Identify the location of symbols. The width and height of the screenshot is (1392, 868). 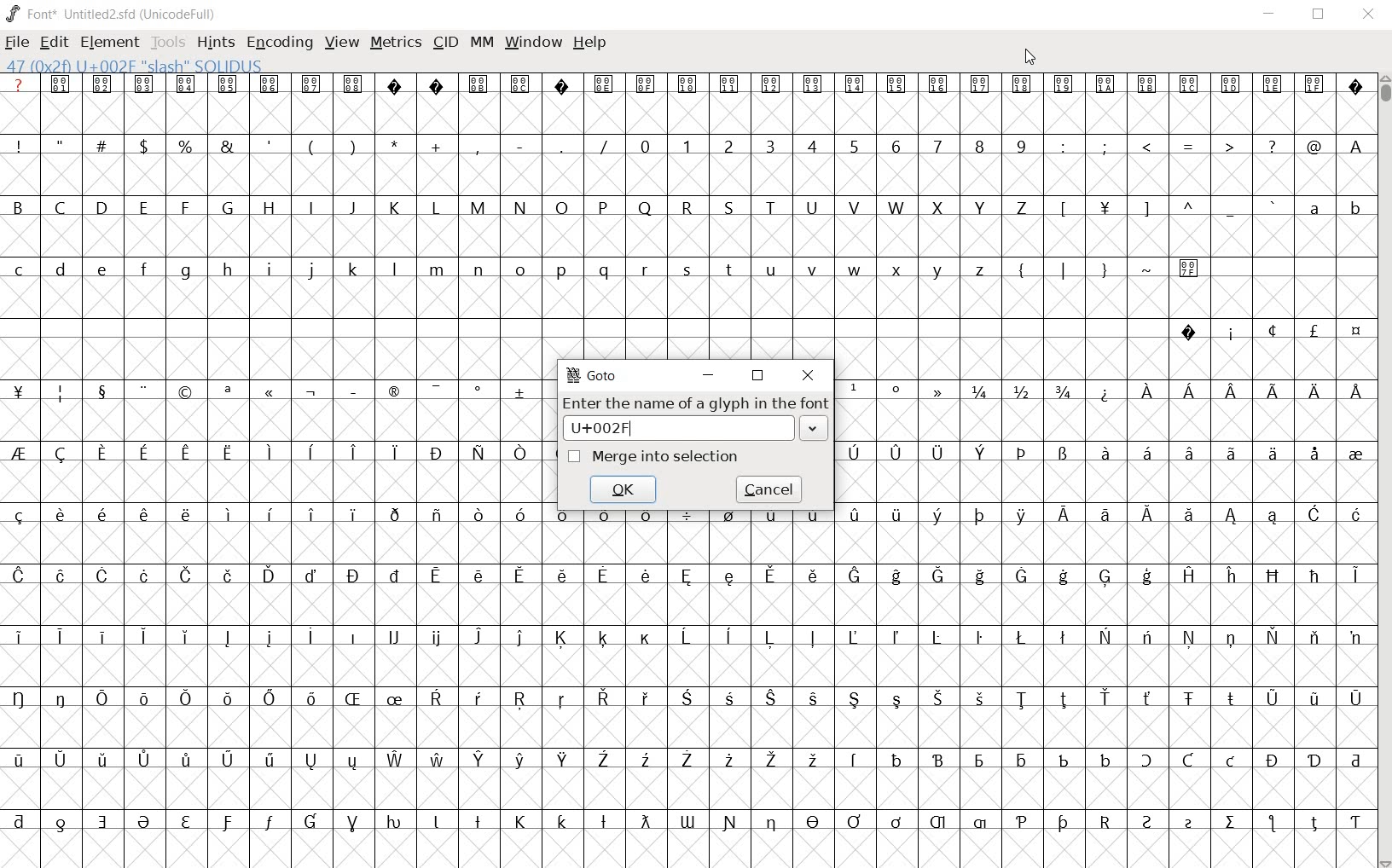
(1163, 208).